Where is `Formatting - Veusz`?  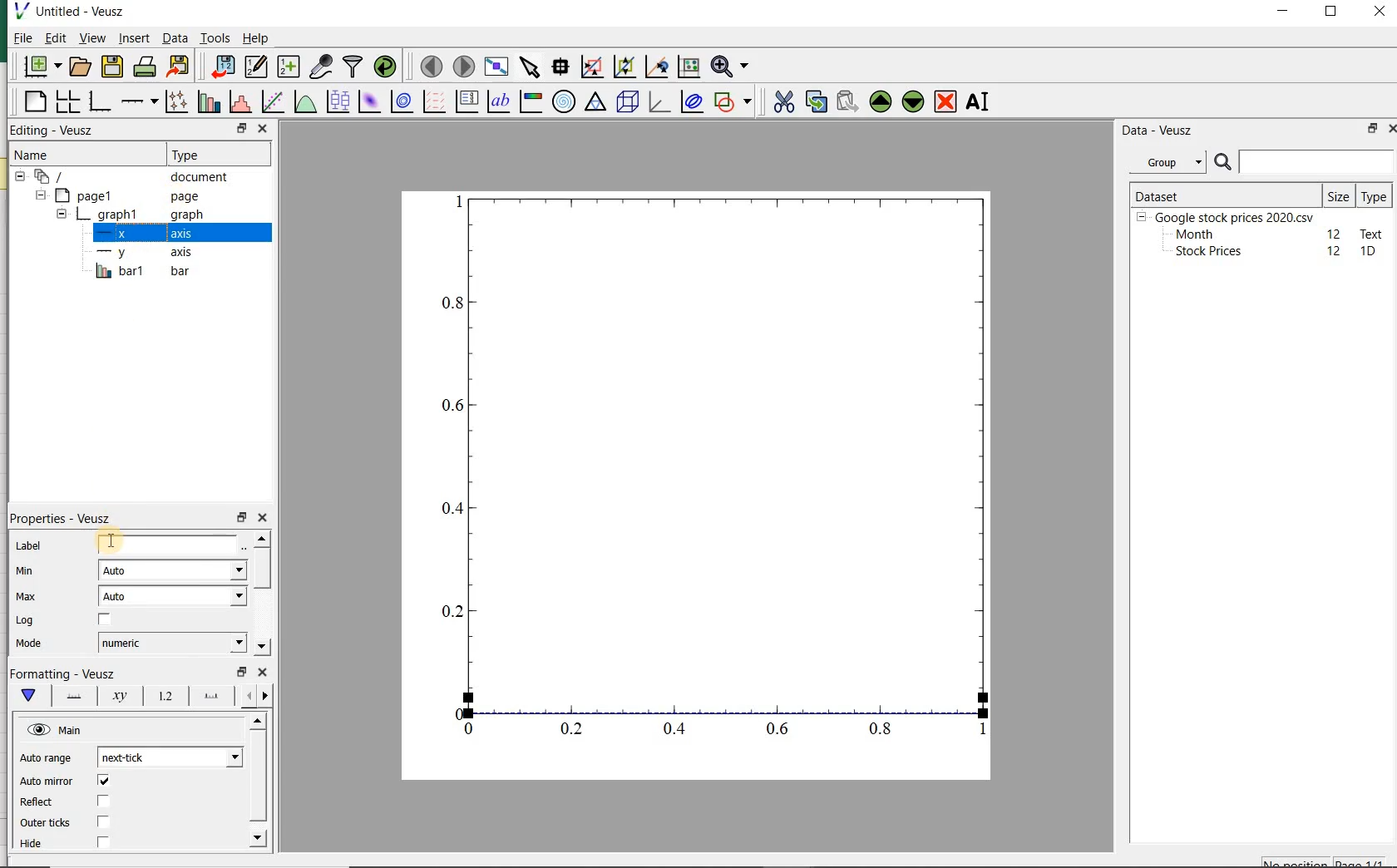 Formatting - Veusz is located at coordinates (67, 673).